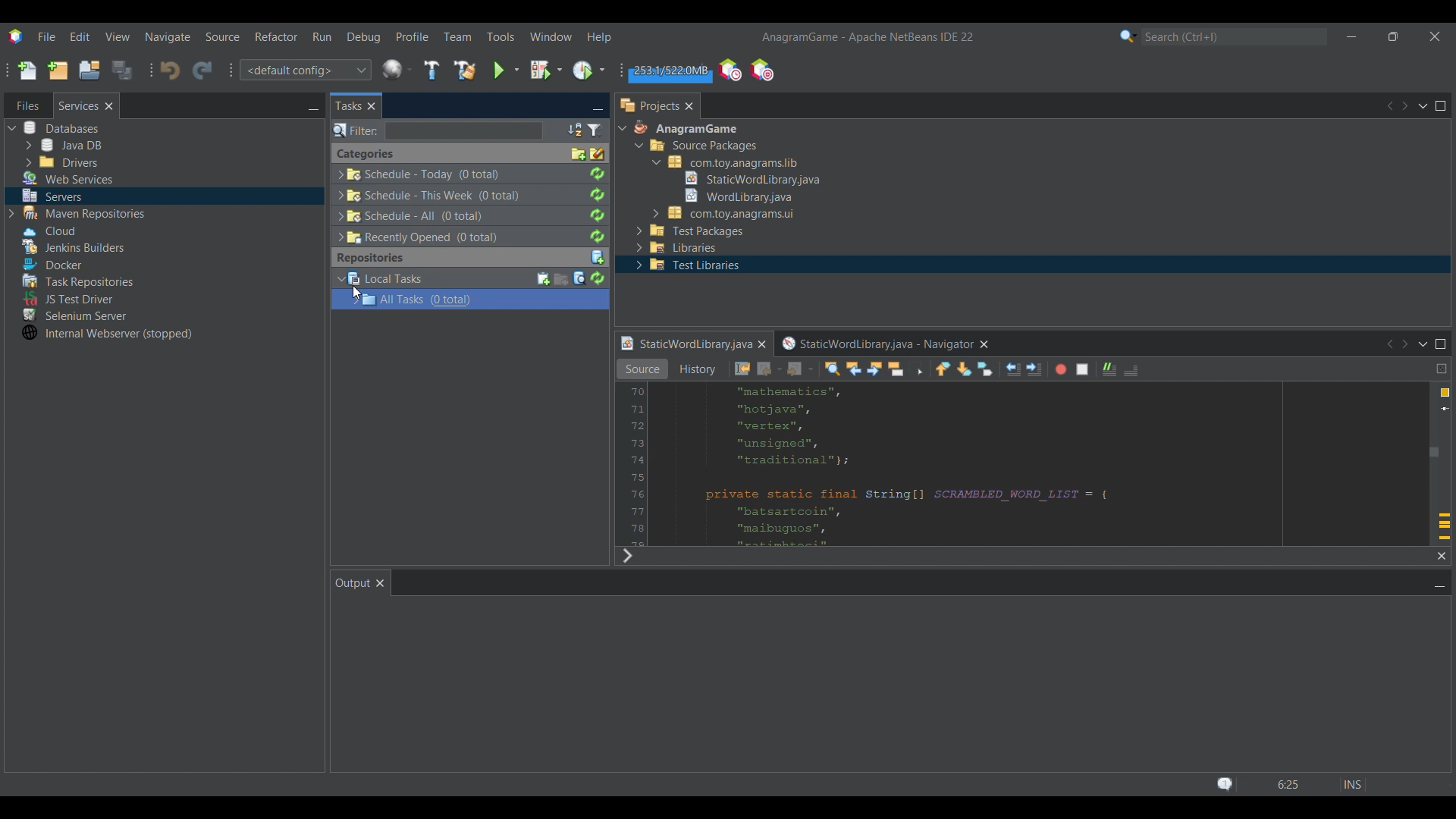 Image resolution: width=1456 pixels, height=819 pixels. I want to click on , so click(884, 343).